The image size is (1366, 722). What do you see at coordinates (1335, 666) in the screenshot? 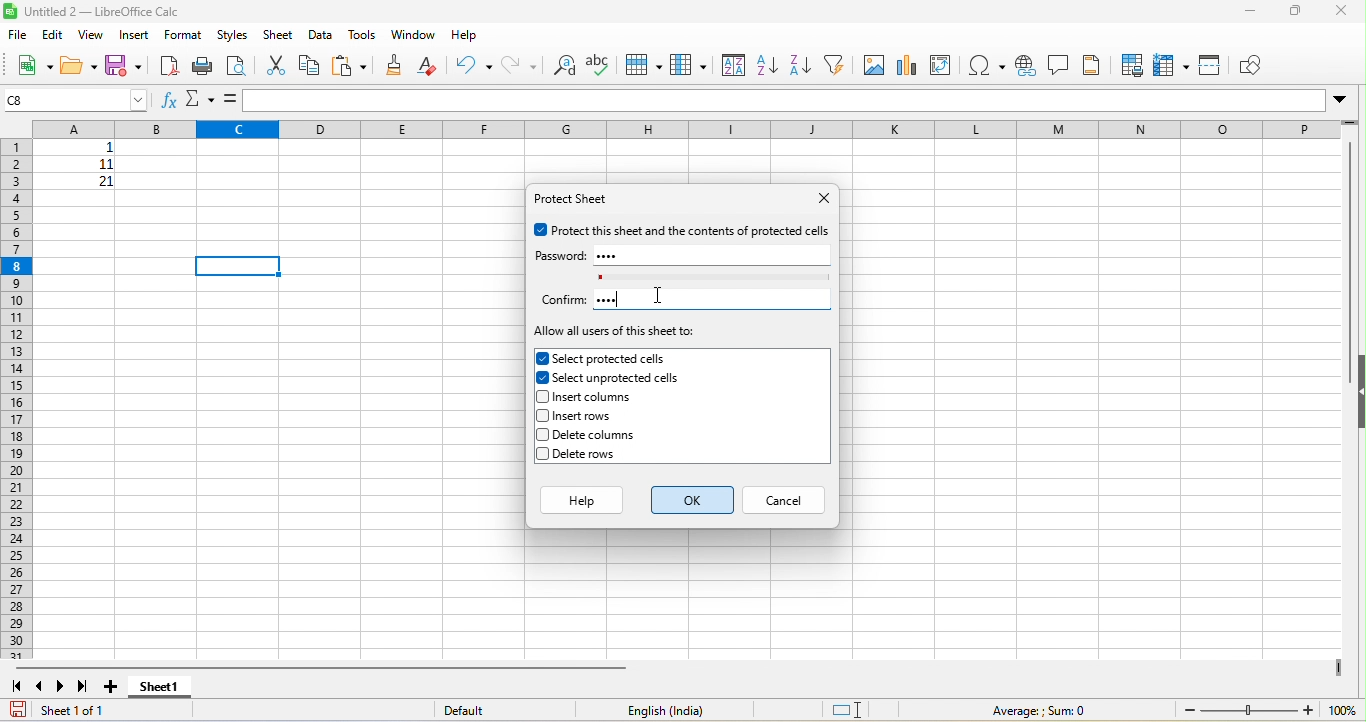
I see `drag to view more columns` at bounding box center [1335, 666].